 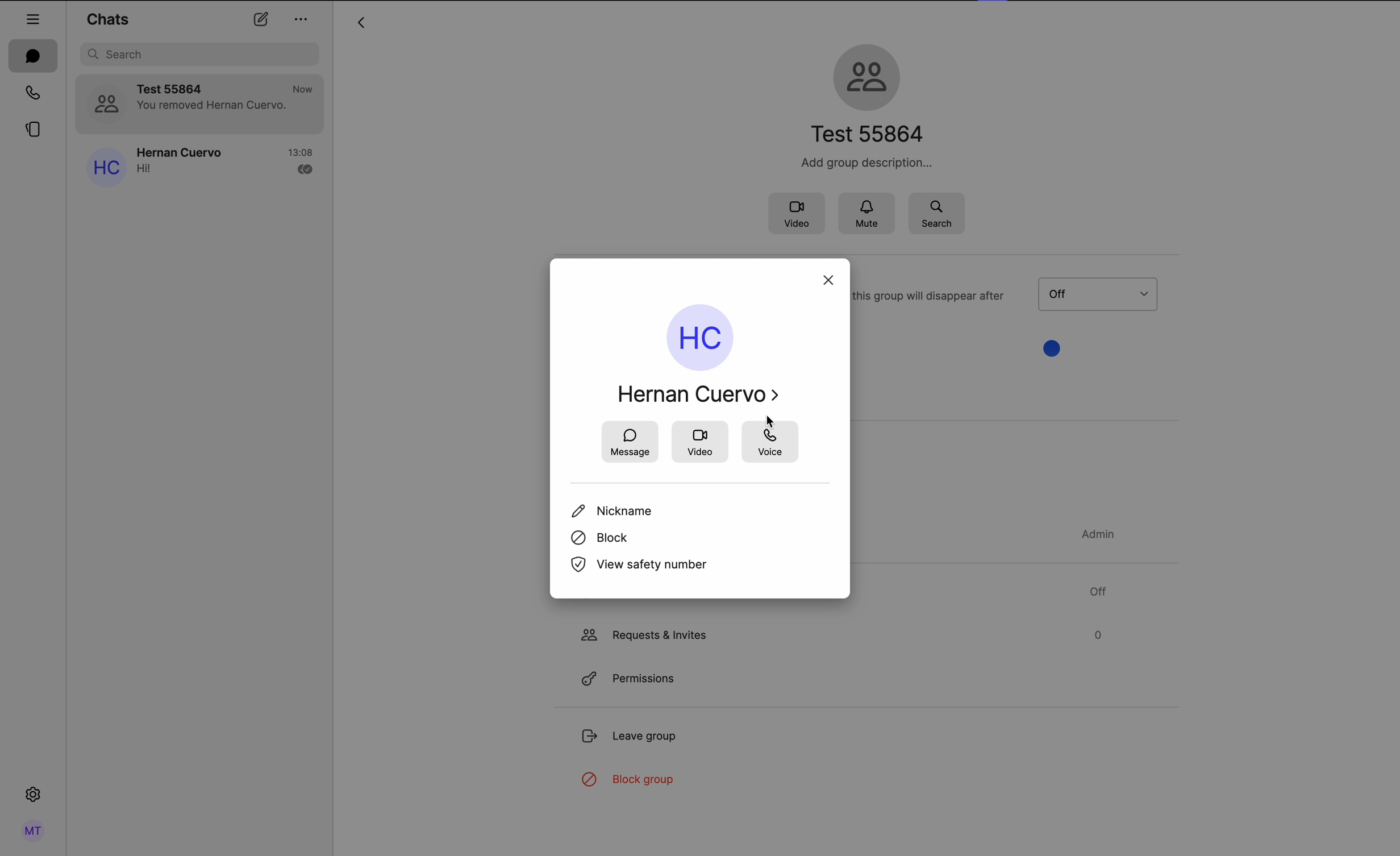 What do you see at coordinates (201, 104) in the screenshot?
I see `Test 55864 group` at bounding box center [201, 104].